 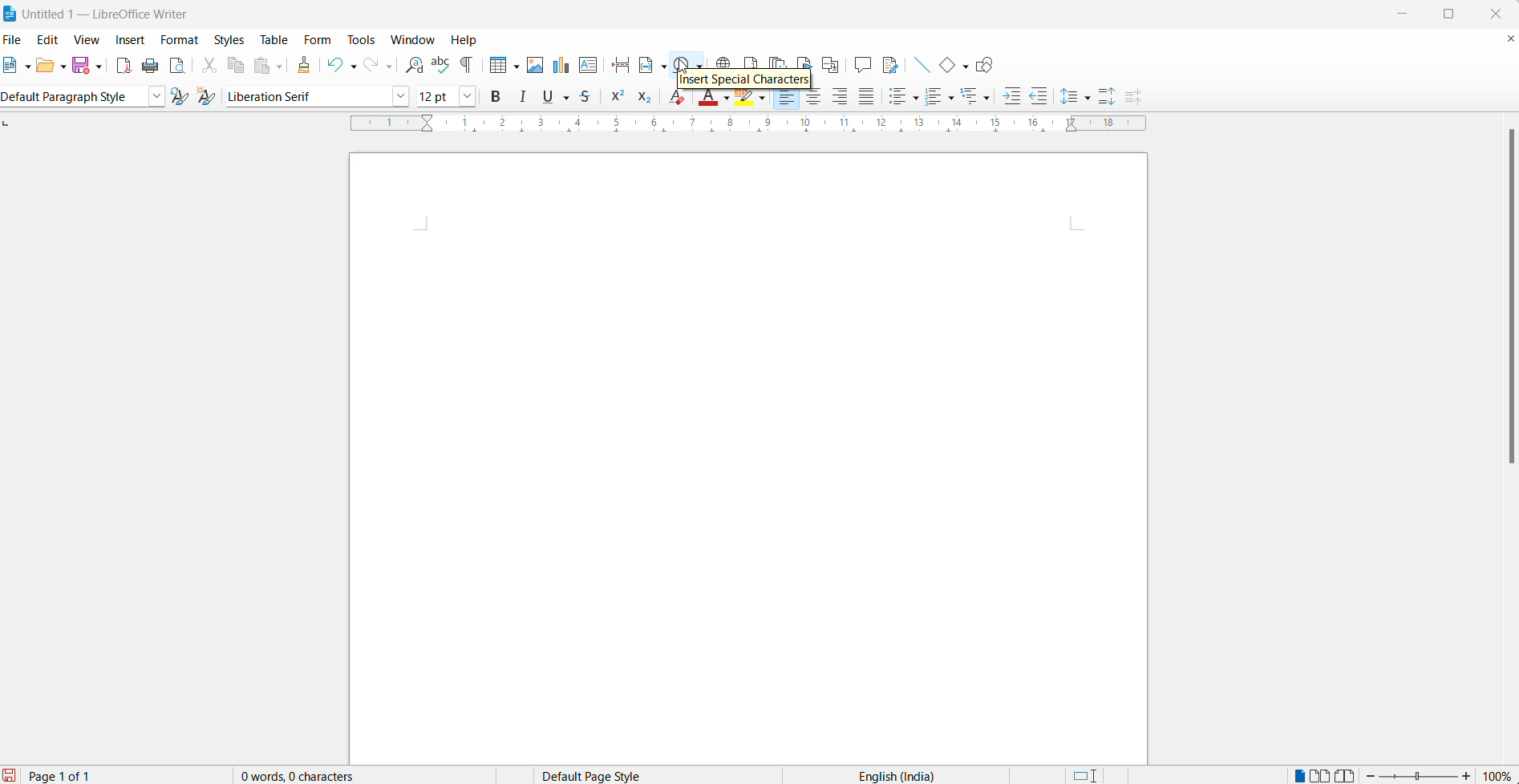 I want to click on justified, so click(x=869, y=98).